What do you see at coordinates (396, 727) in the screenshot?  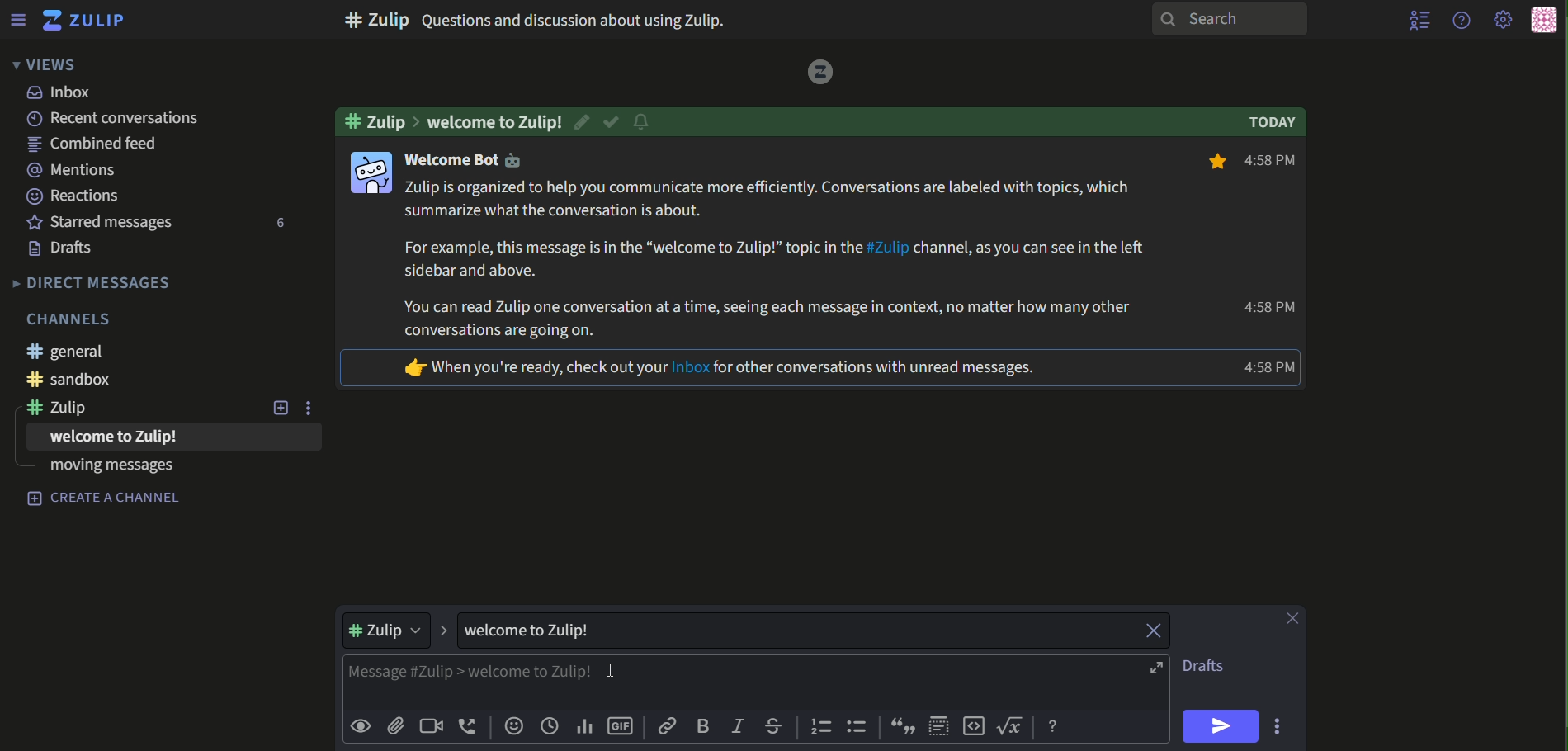 I see `add file` at bounding box center [396, 727].